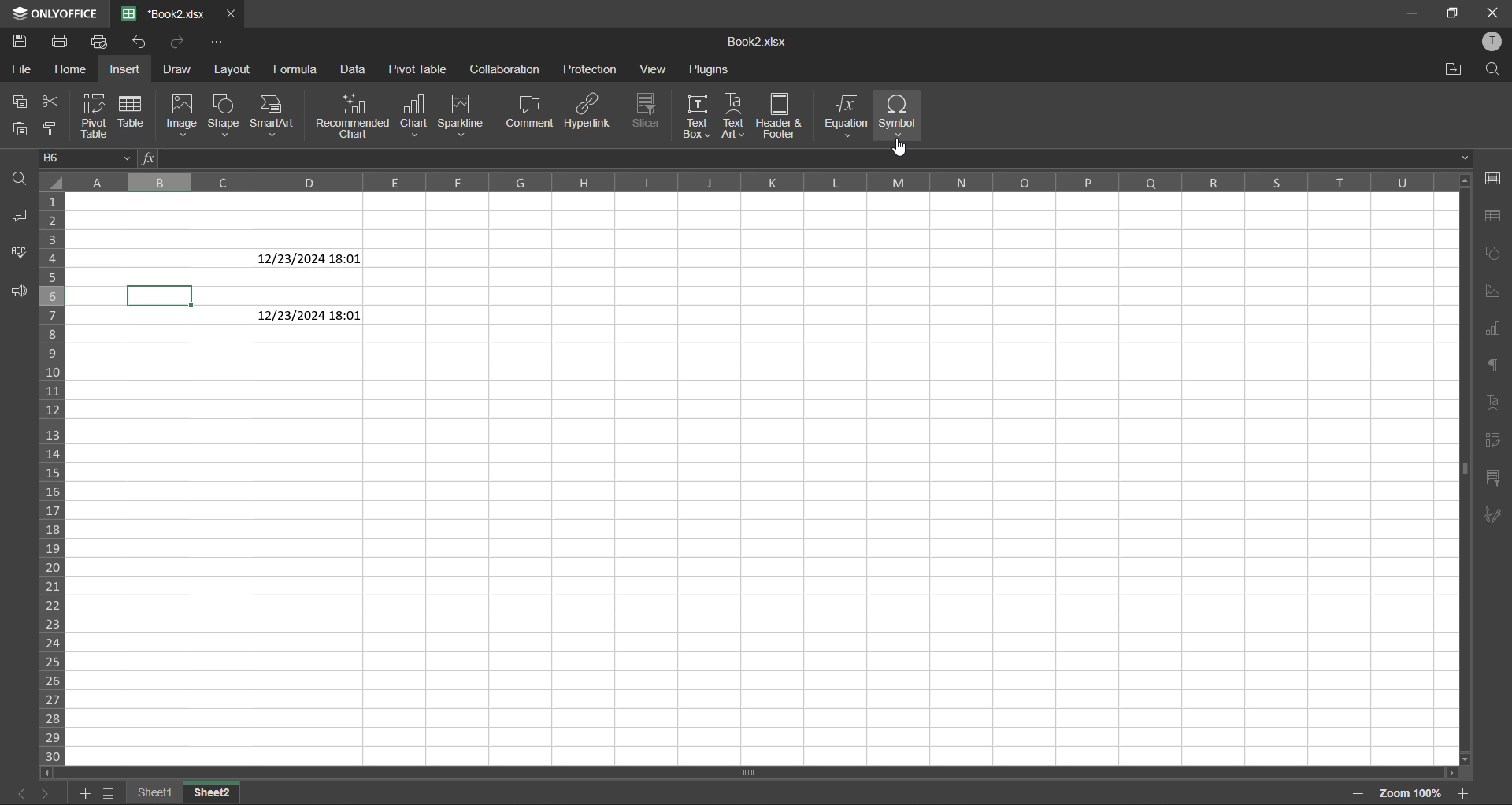 This screenshot has height=805, width=1512. I want to click on symbol, so click(898, 116).